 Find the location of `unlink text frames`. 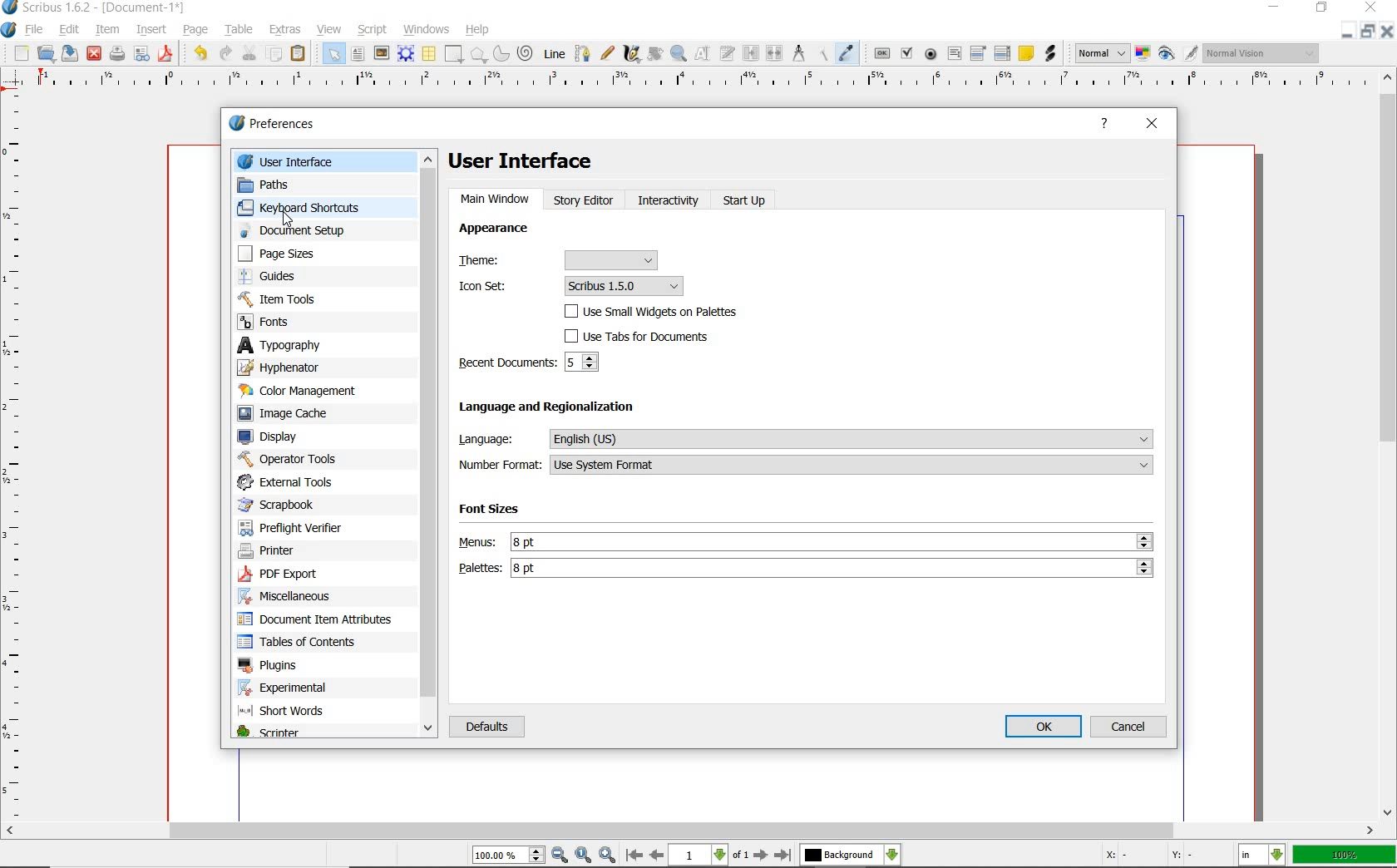

unlink text frames is located at coordinates (774, 53).